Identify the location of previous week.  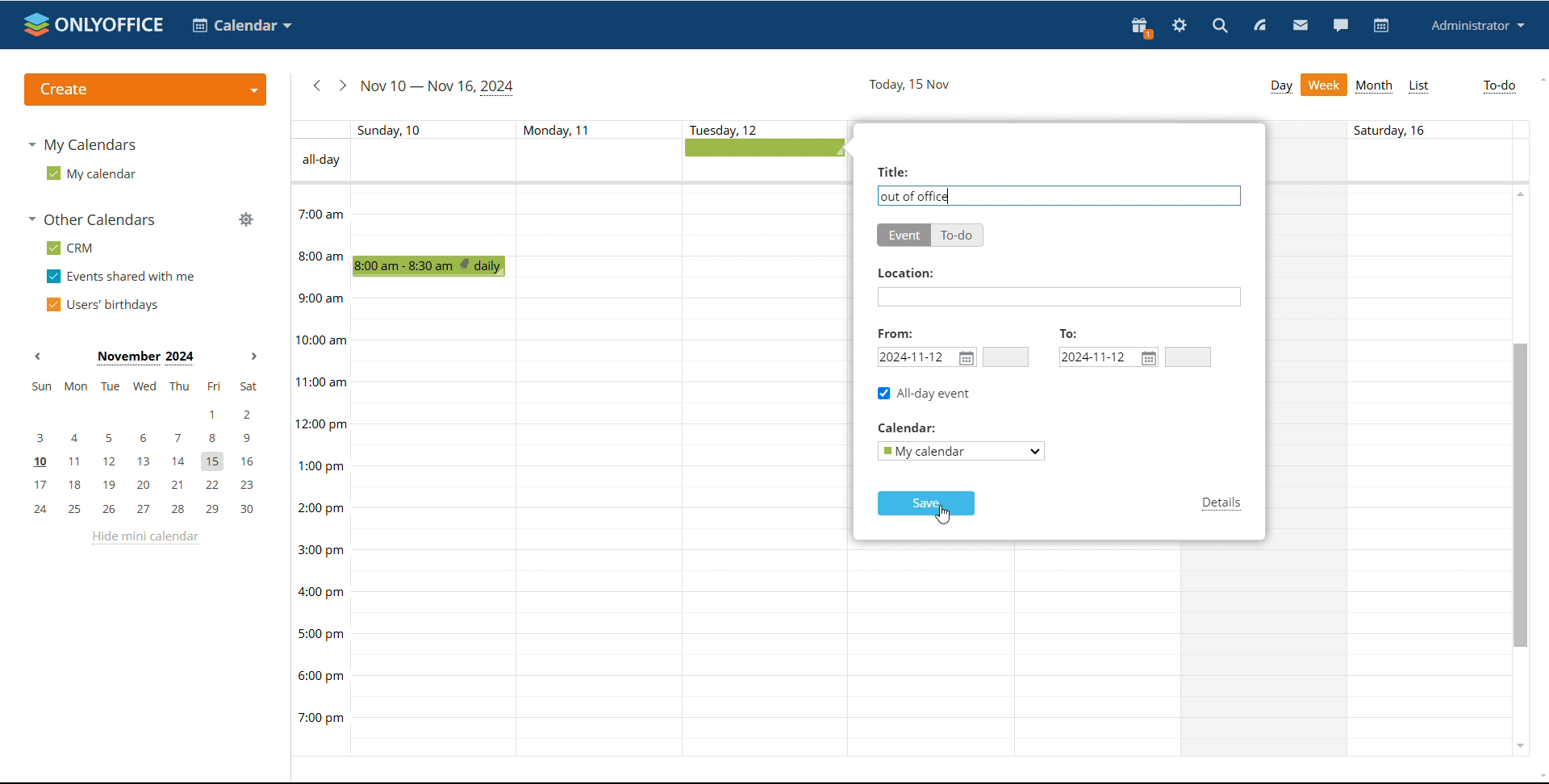
(316, 85).